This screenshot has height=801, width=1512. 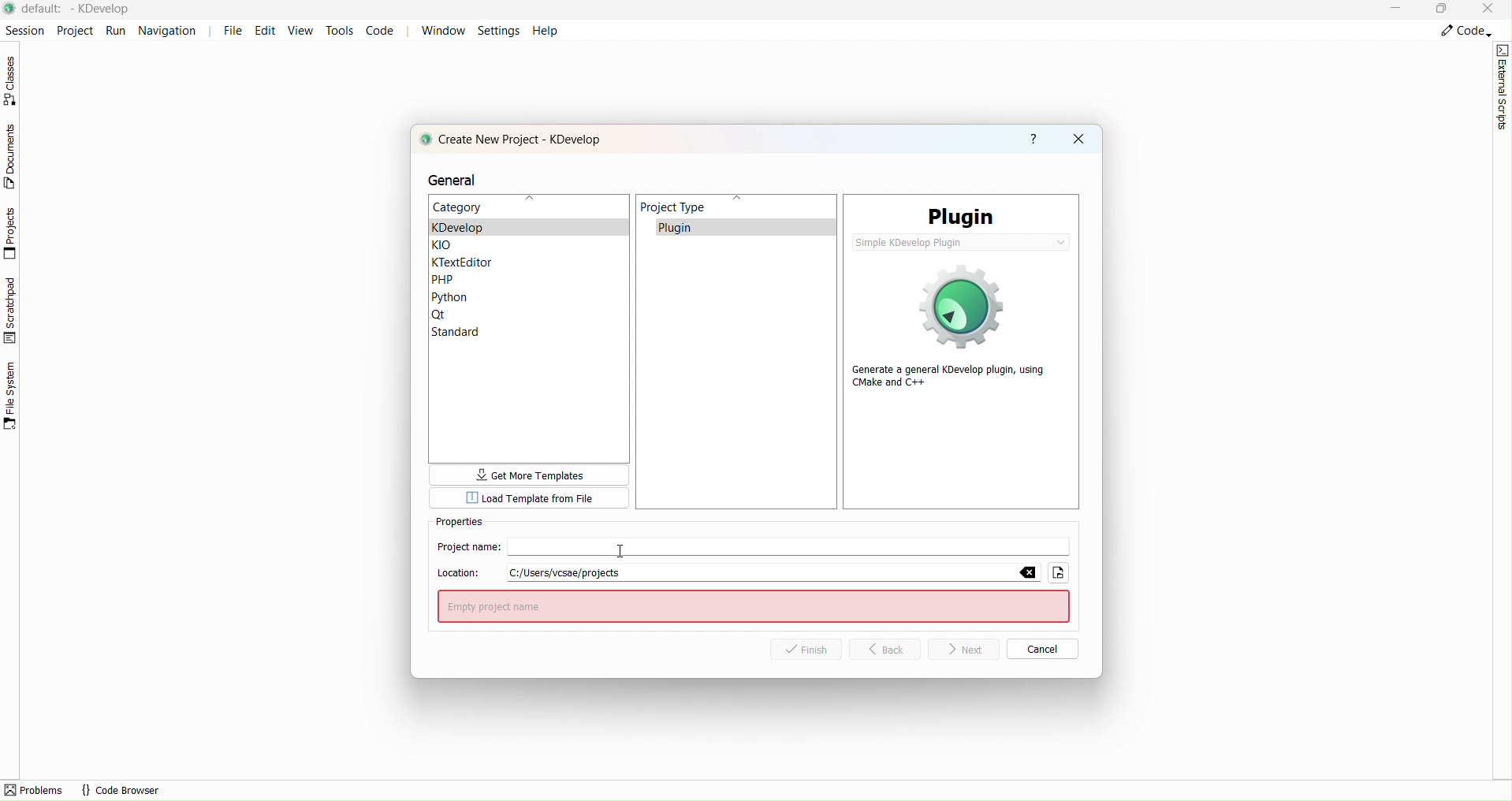 I want to click on create new project, so click(x=516, y=139).